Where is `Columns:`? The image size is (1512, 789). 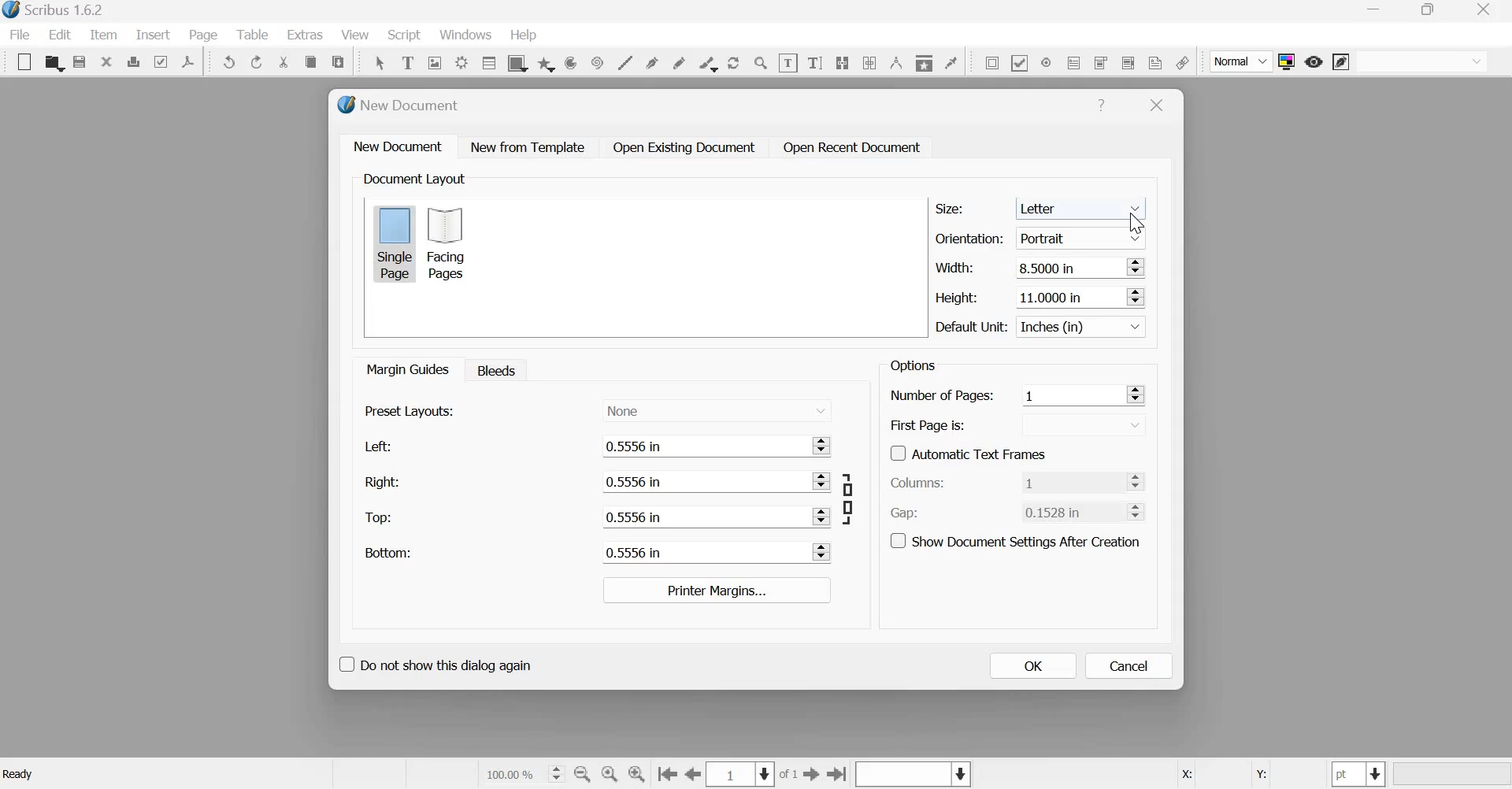
Columns: is located at coordinates (921, 483).